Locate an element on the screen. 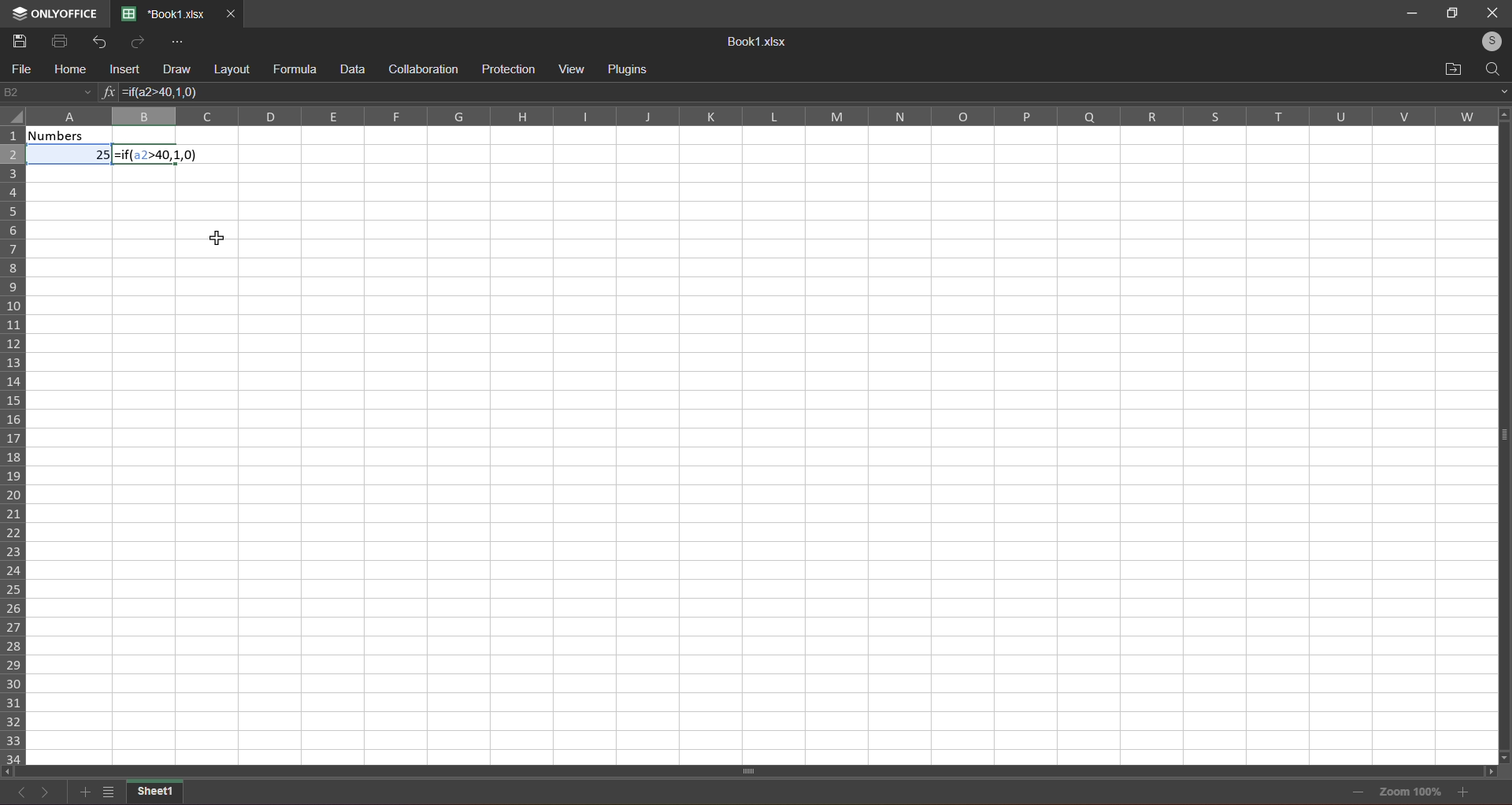  vertical scroll bar is located at coordinates (1501, 446).